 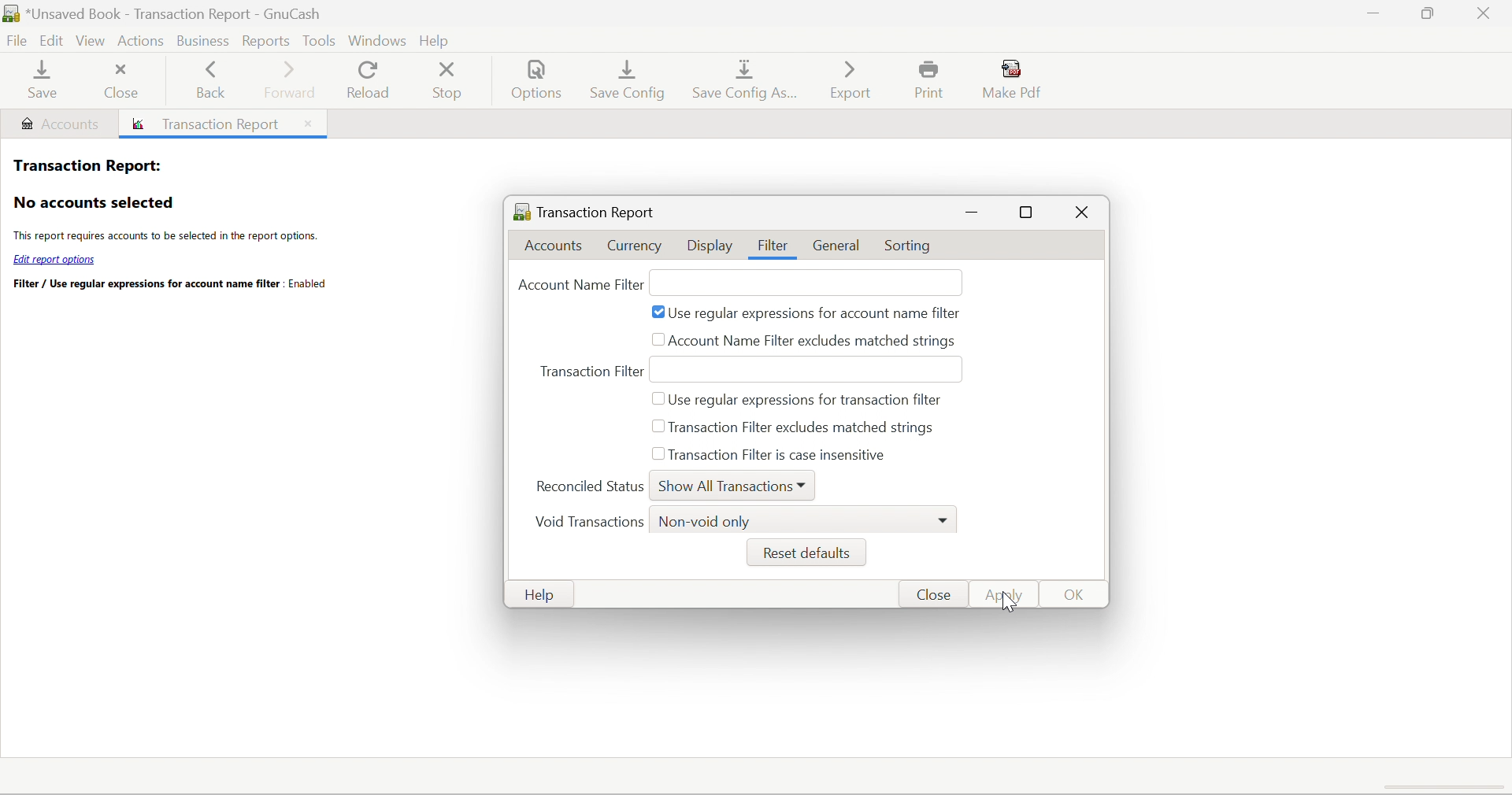 I want to click on Drop Down, so click(x=806, y=484).